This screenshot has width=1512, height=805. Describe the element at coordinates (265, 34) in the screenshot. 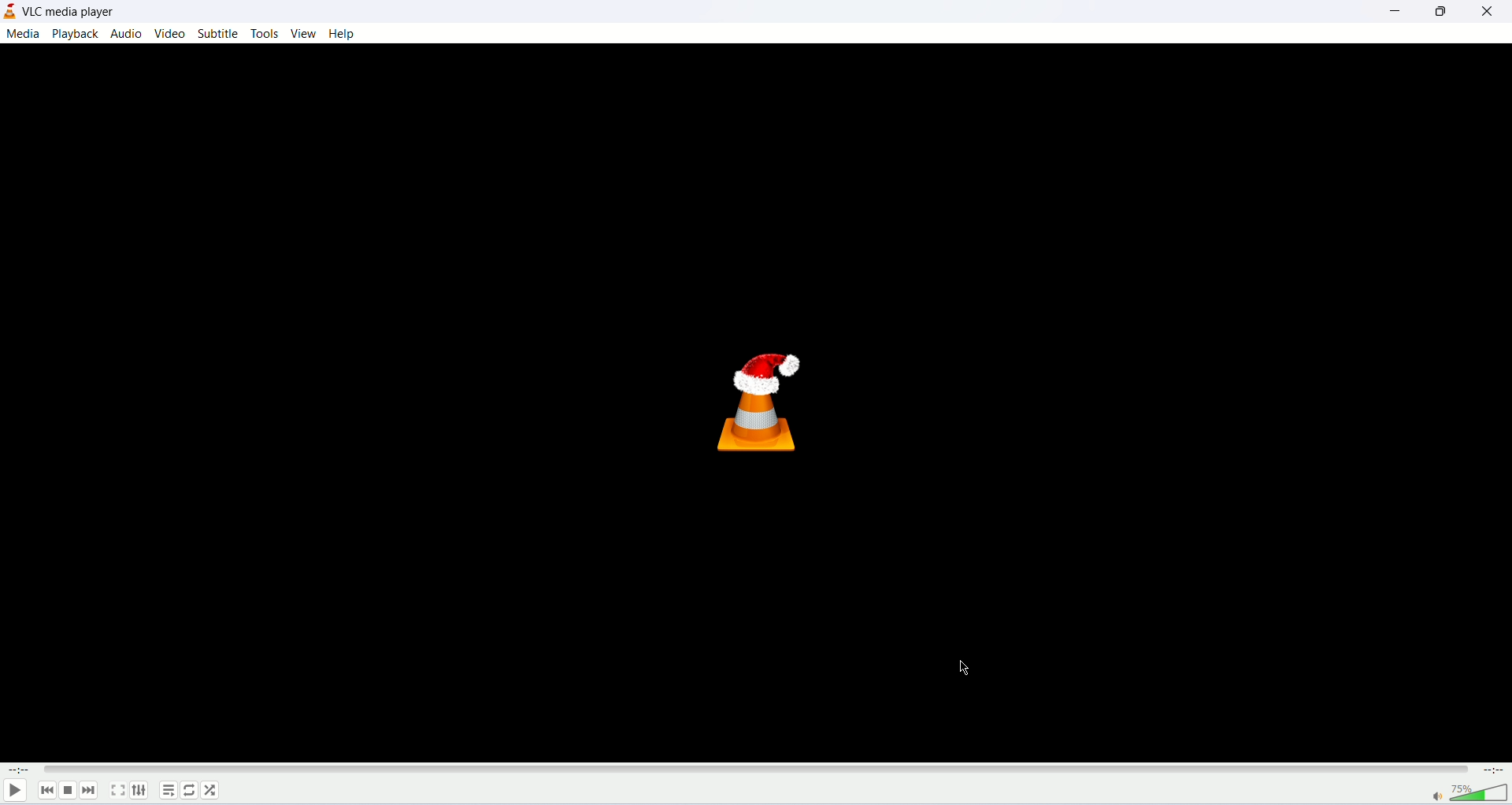

I see `tools` at that location.